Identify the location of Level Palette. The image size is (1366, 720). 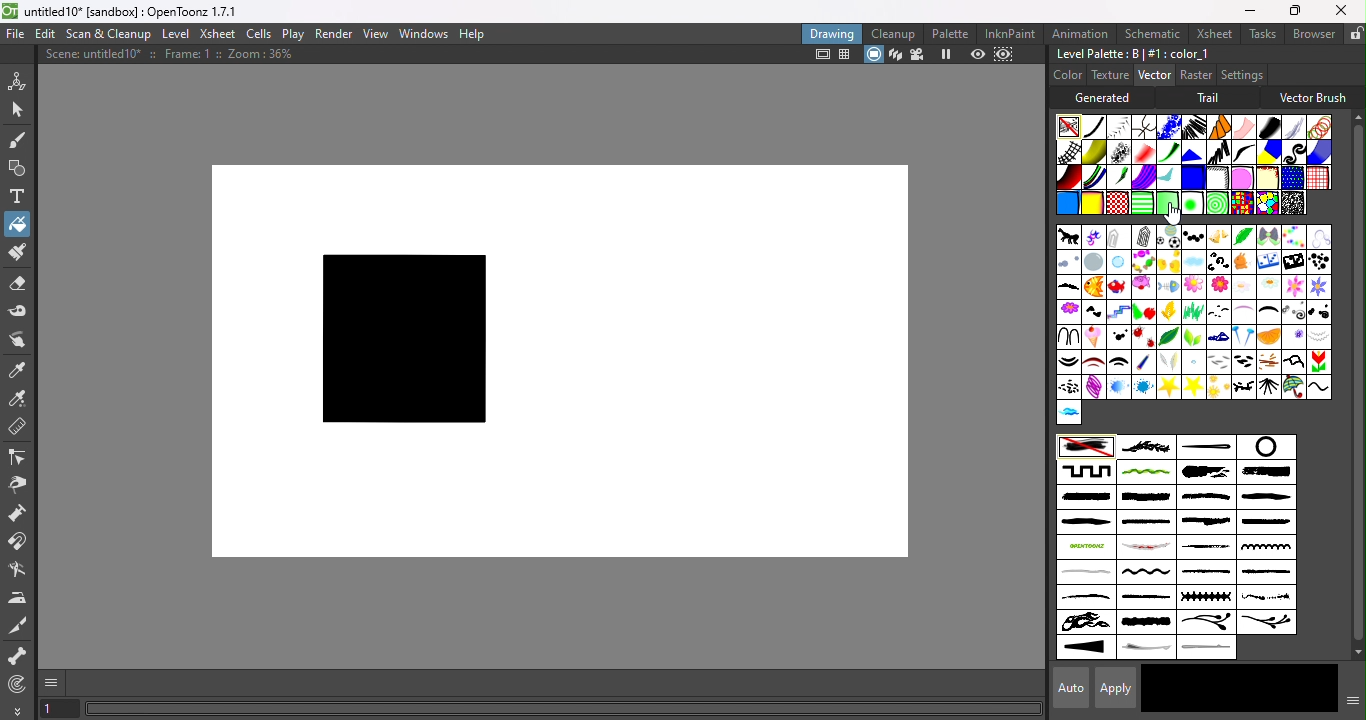
(1132, 54).